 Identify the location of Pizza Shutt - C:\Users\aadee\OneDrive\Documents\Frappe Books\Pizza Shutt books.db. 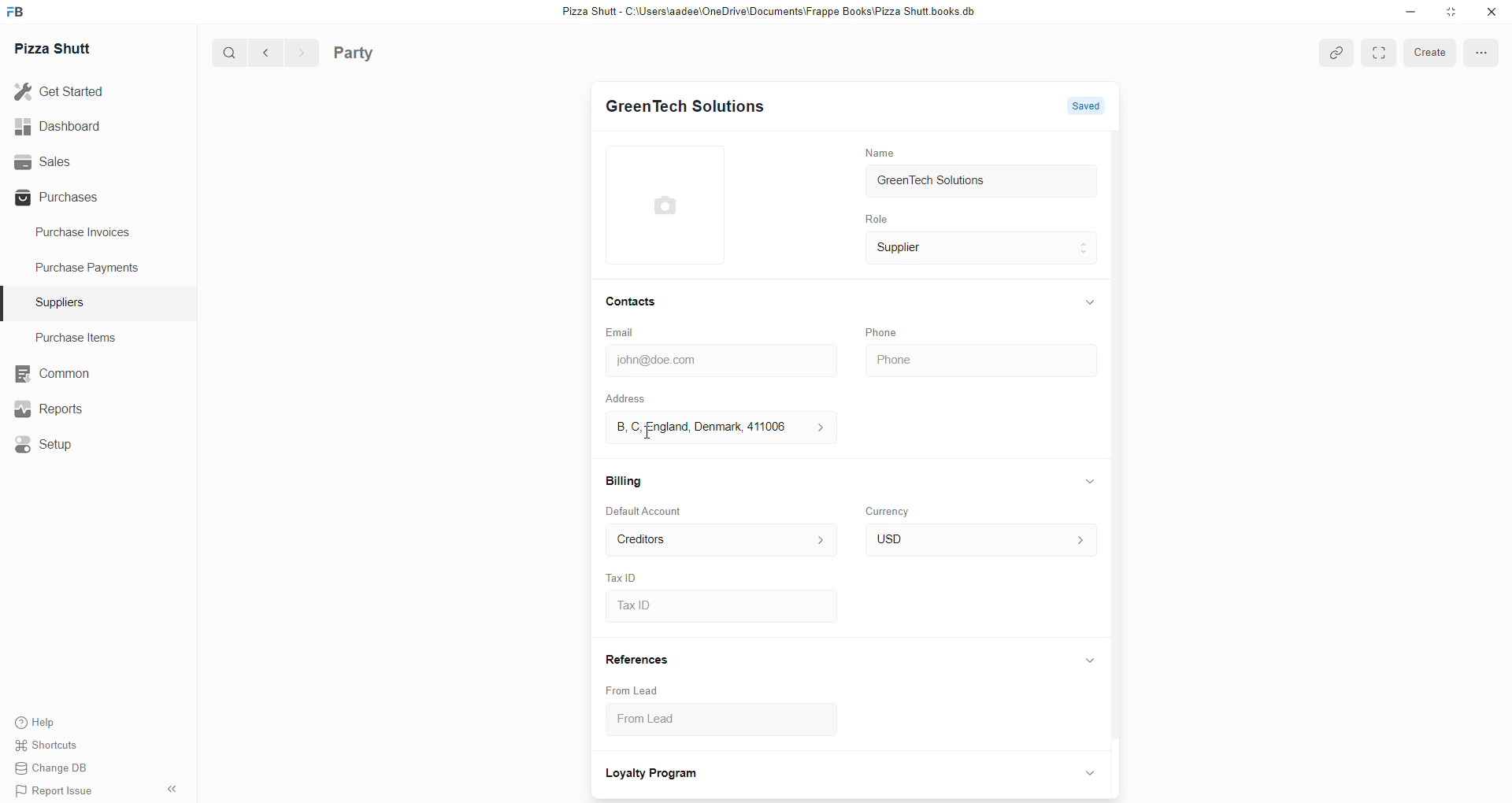
(766, 13).